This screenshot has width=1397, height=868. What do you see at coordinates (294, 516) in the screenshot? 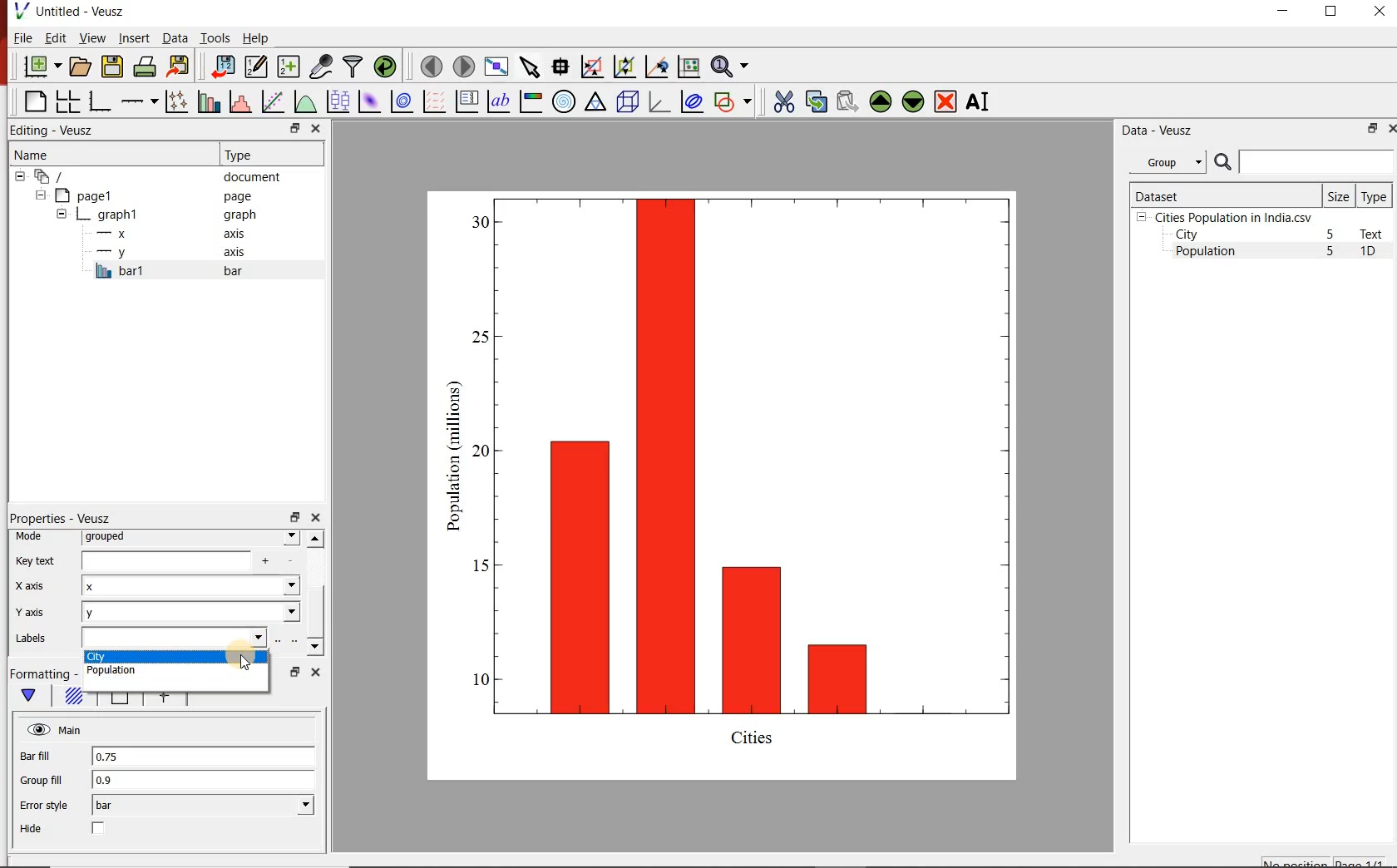
I see `restore` at bounding box center [294, 516].